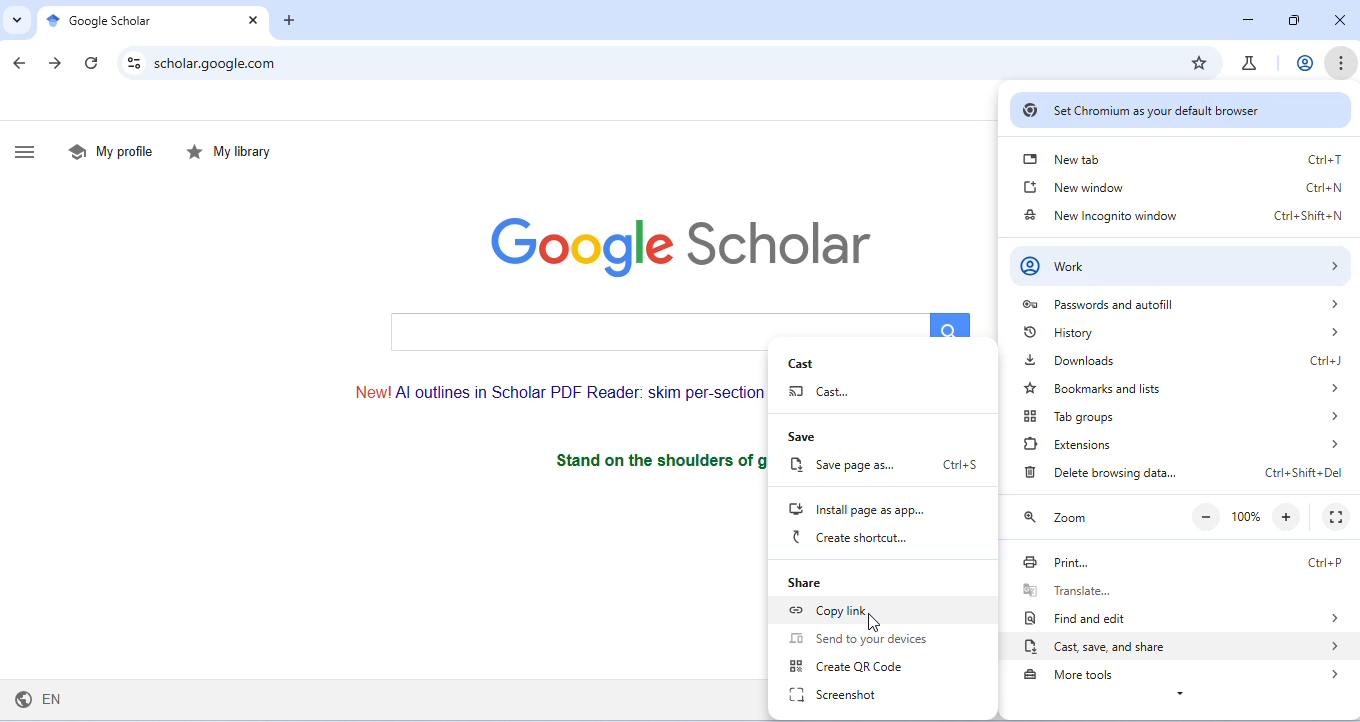 The image size is (1360, 722). I want to click on save page as, so click(886, 467).